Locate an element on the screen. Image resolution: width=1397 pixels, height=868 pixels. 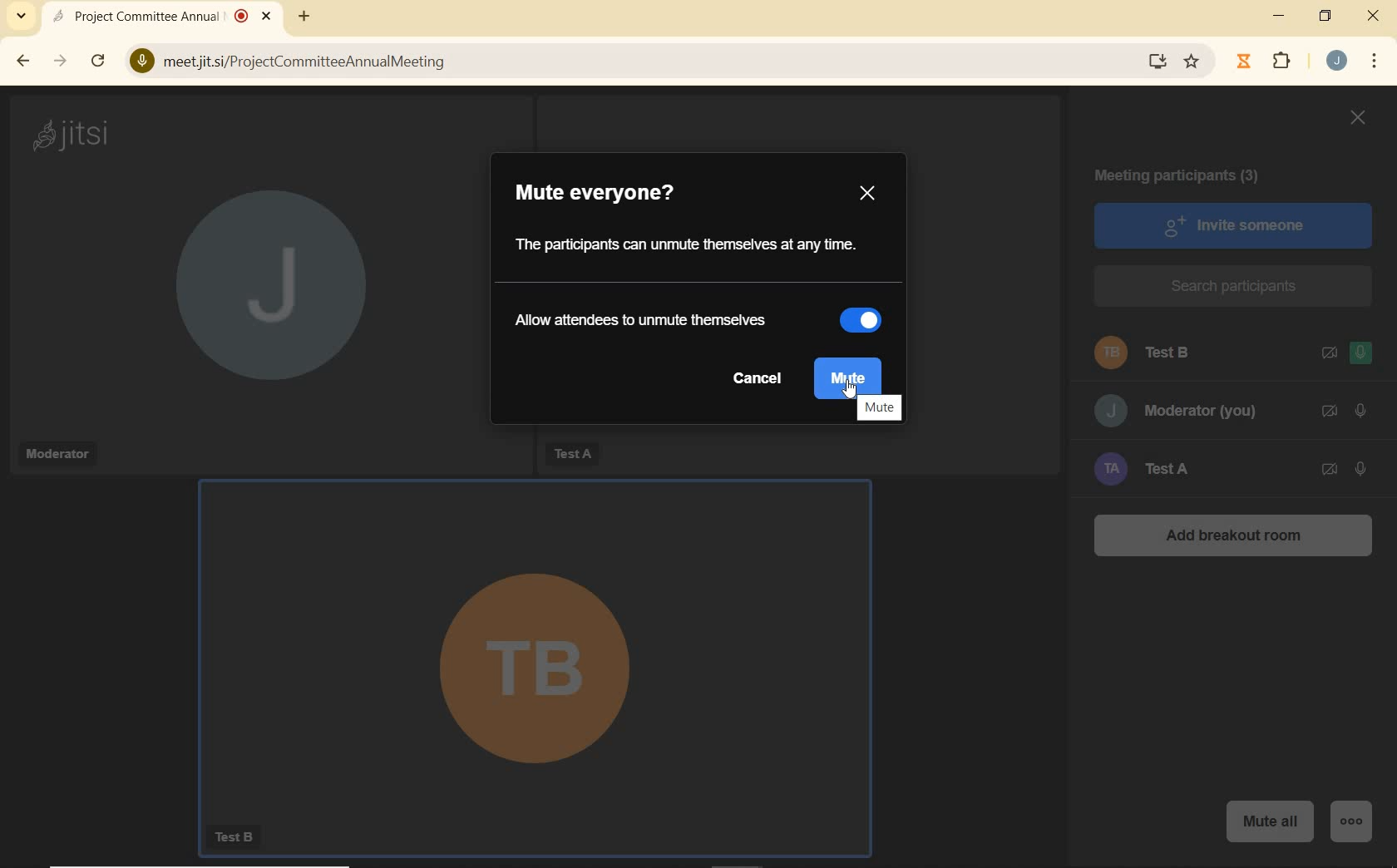
) meetjitsi/ProjectCommitteeAnnualMeeting is located at coordinates (632, 65).